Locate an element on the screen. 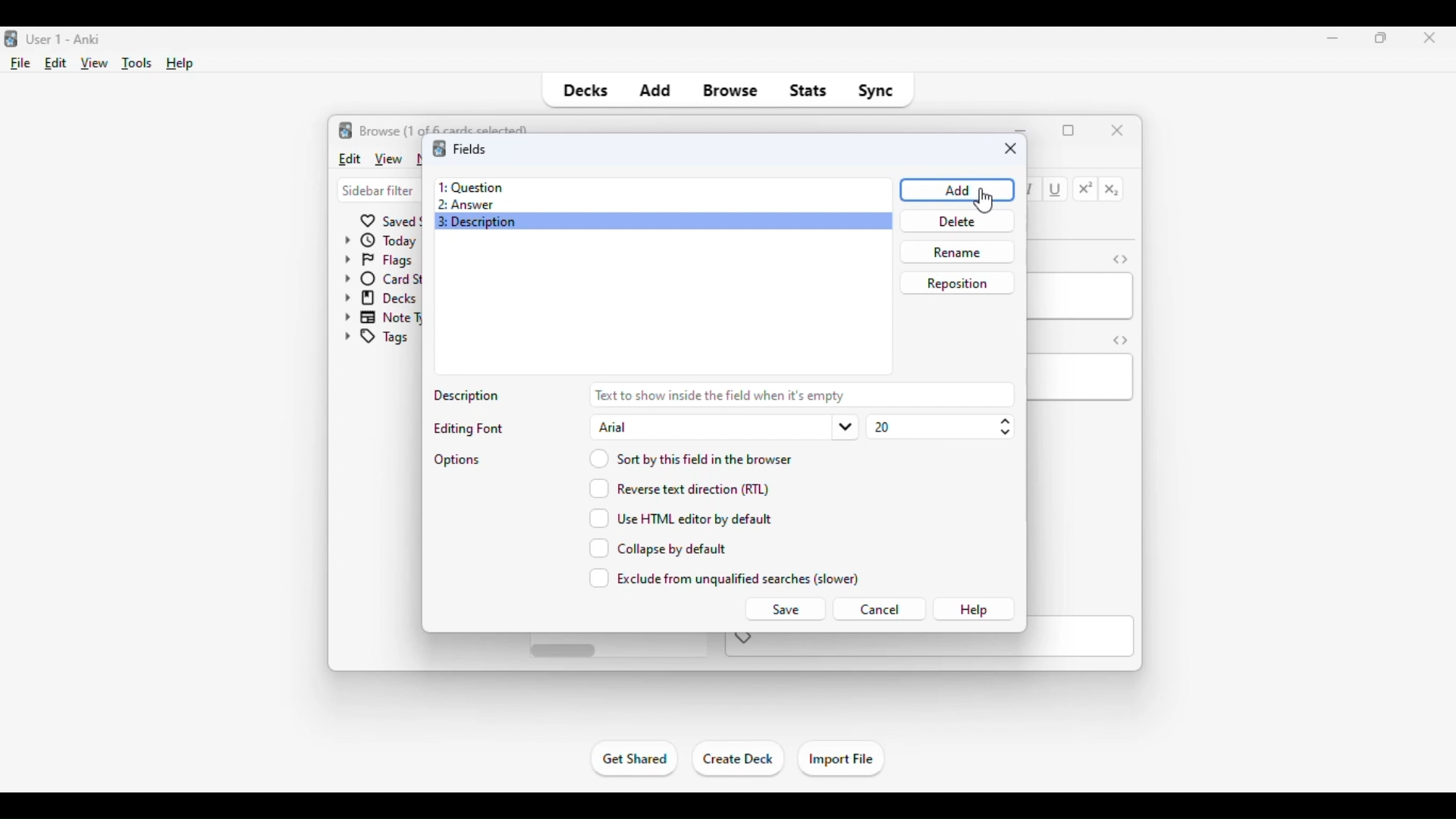  sync is located at coordinates (875, 91).